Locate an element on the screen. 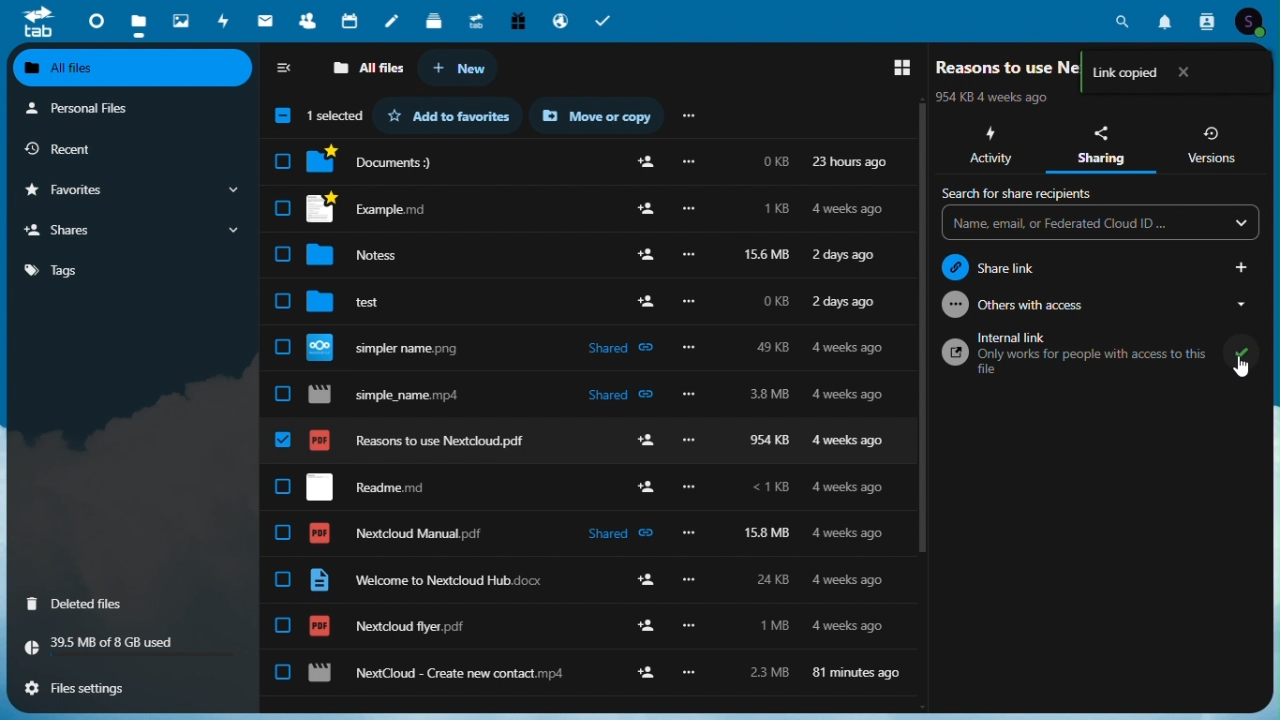  Activity is located at coordinates (225, 21).